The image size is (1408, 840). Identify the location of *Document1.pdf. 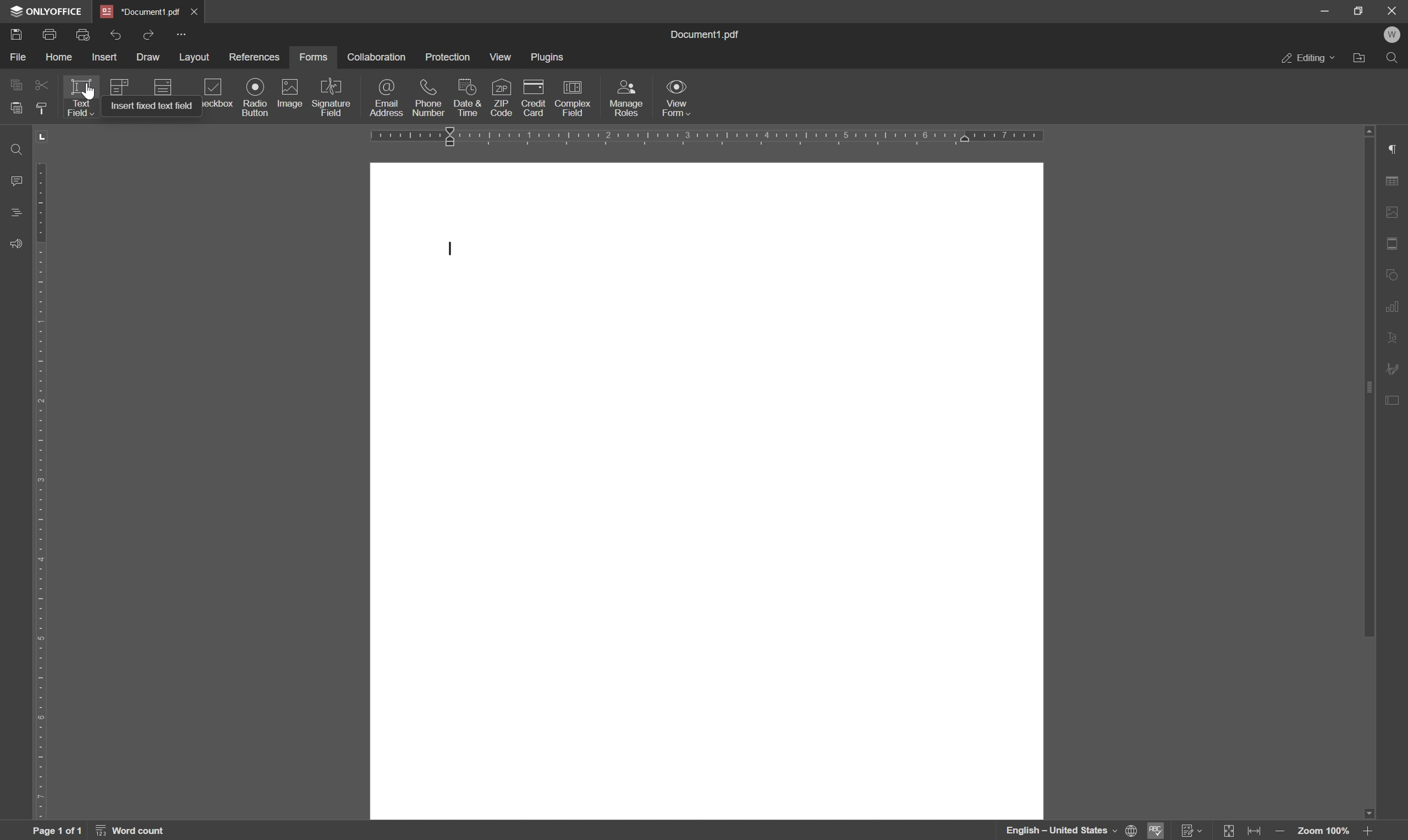
(141, 11).